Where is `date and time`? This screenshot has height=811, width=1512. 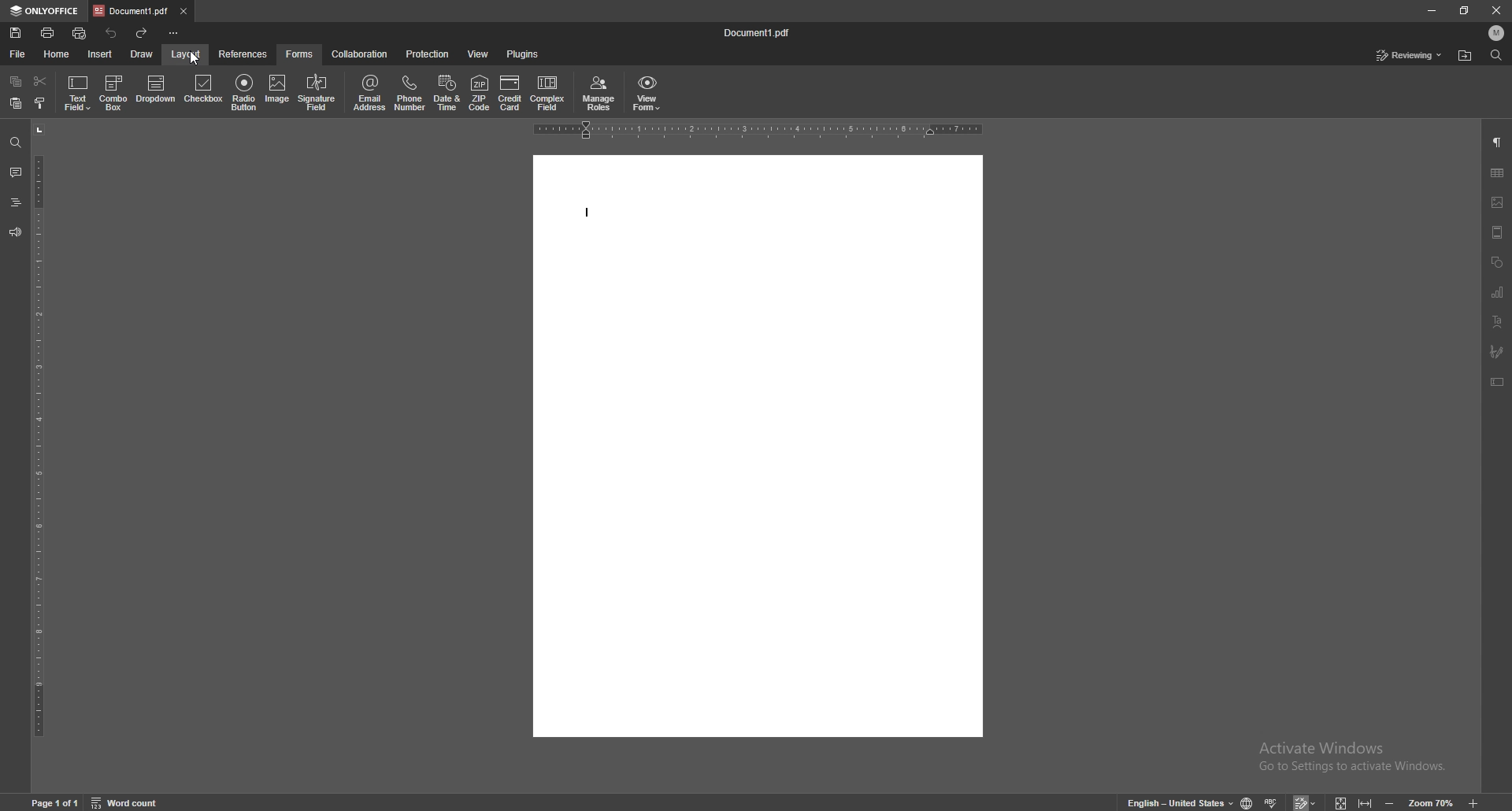
date and time is located at coordinates (447, 93).